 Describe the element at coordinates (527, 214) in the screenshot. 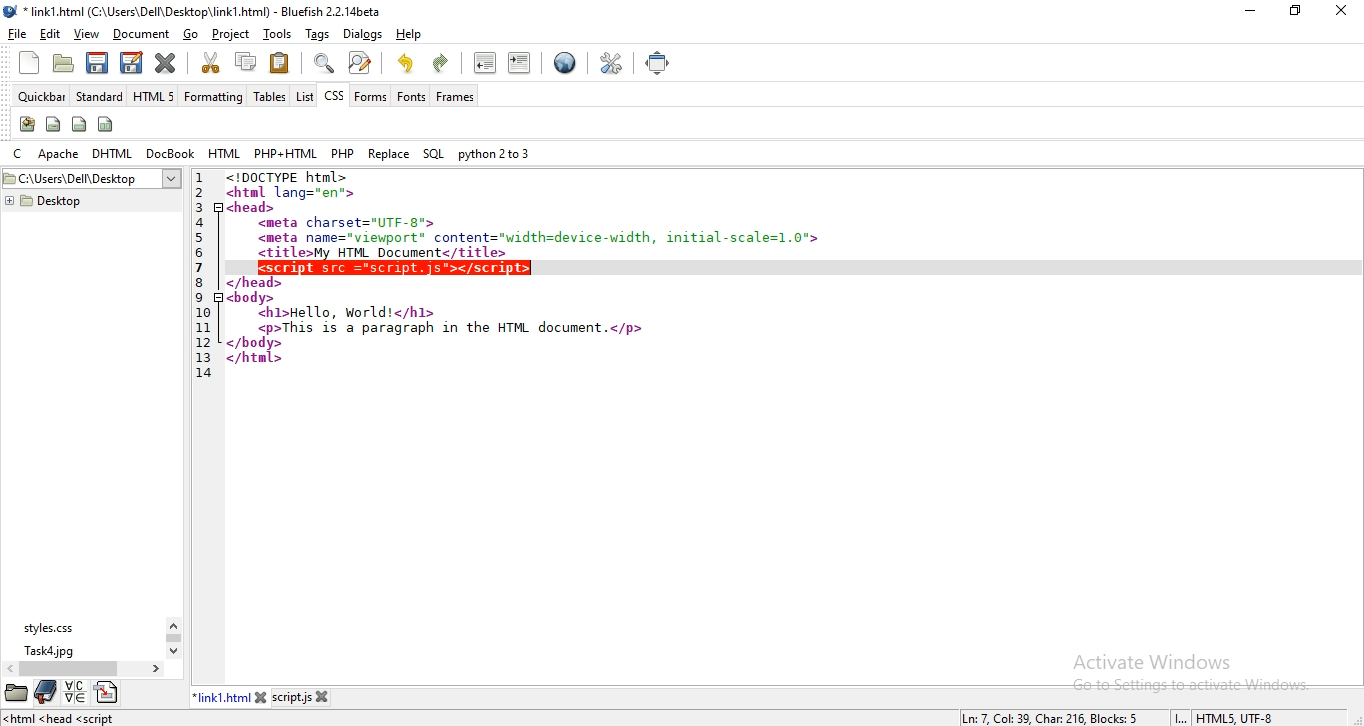

I see `code` at that location.